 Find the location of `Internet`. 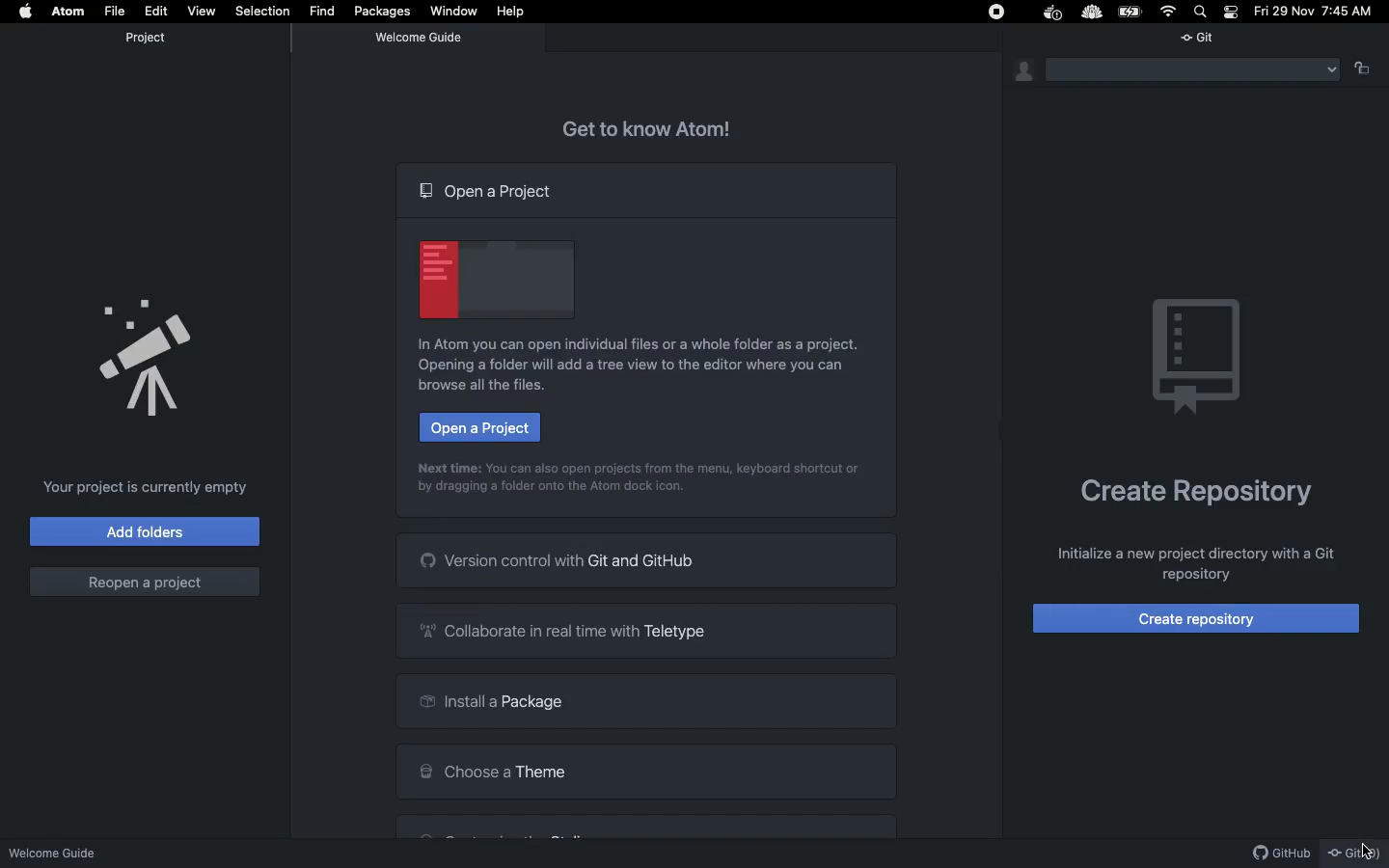

Internet is located at coordinates (1169, 12).